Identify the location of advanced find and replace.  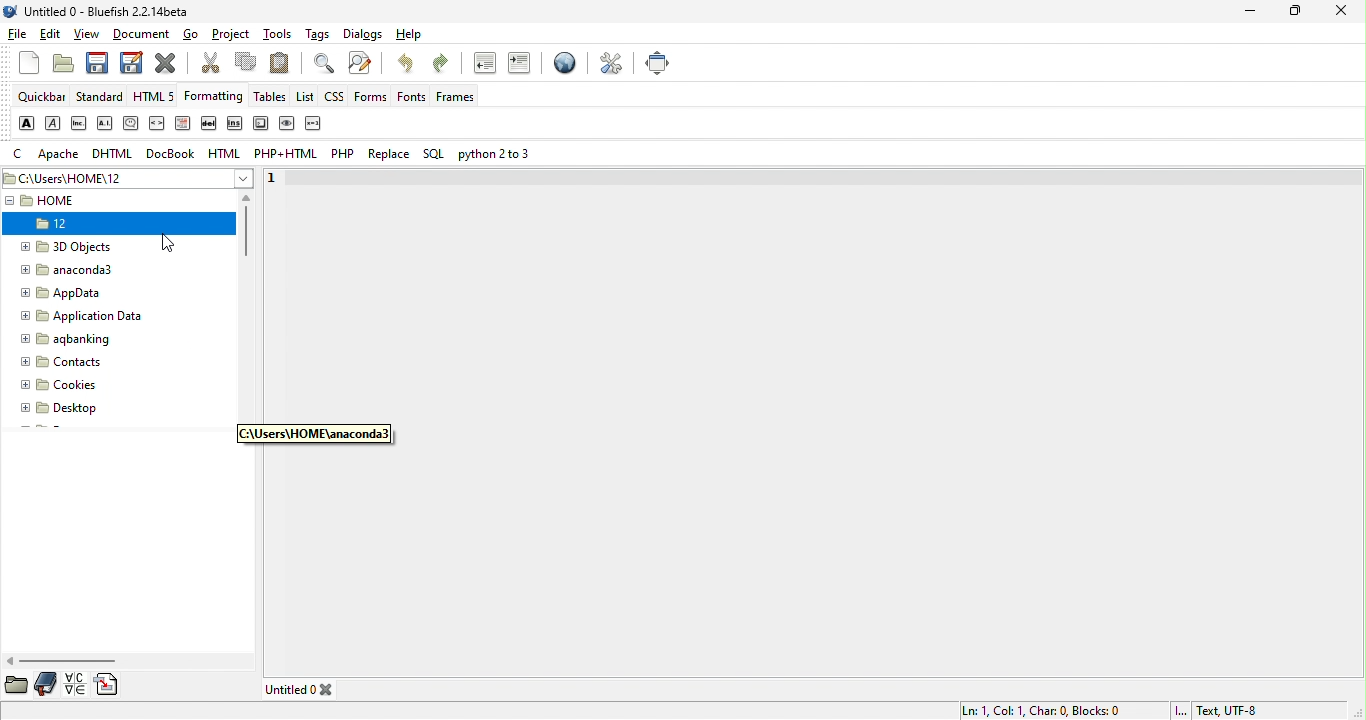
(363, 64).